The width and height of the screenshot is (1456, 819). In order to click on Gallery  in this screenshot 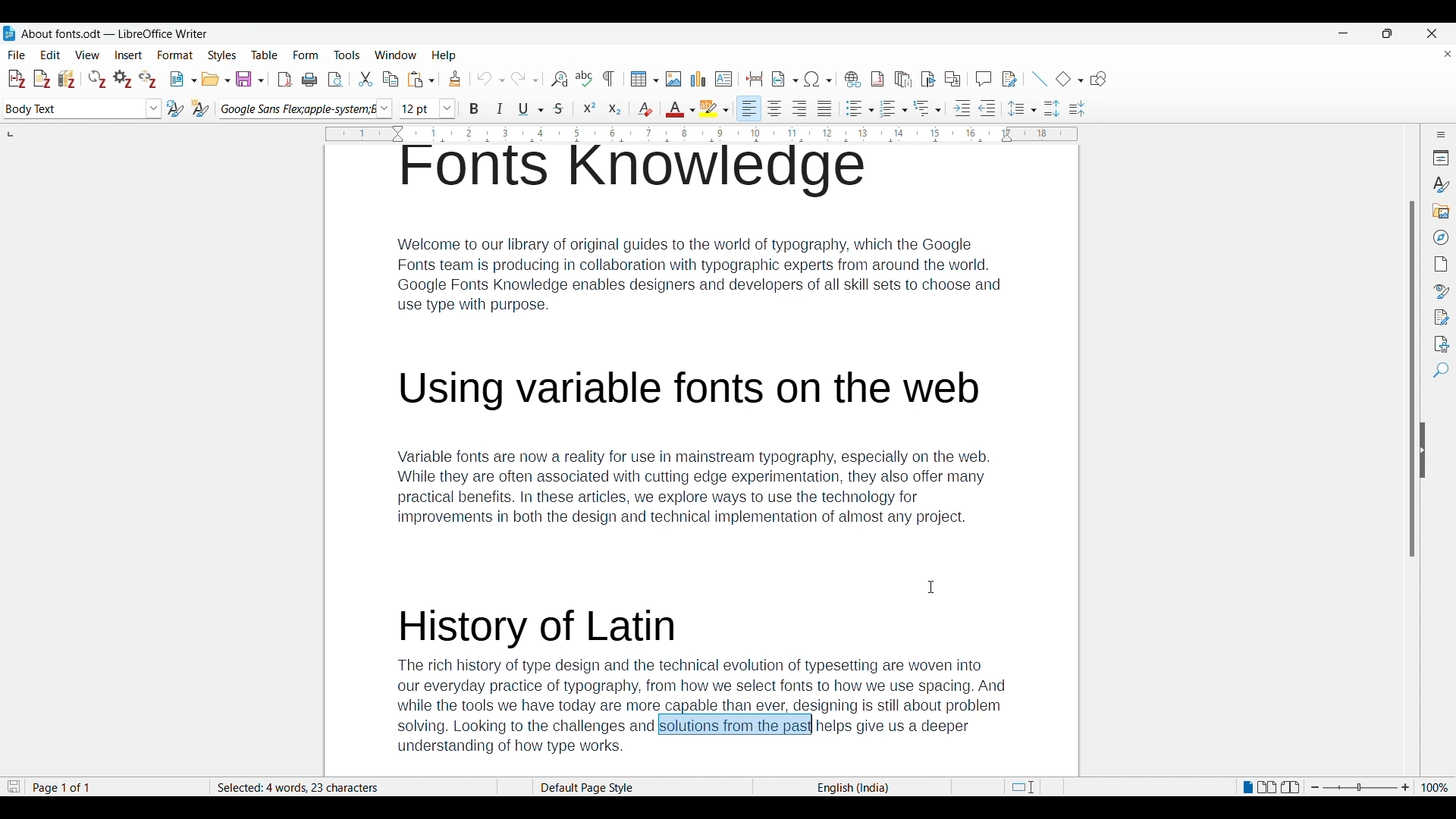, I will do `click(1439, 211)`.